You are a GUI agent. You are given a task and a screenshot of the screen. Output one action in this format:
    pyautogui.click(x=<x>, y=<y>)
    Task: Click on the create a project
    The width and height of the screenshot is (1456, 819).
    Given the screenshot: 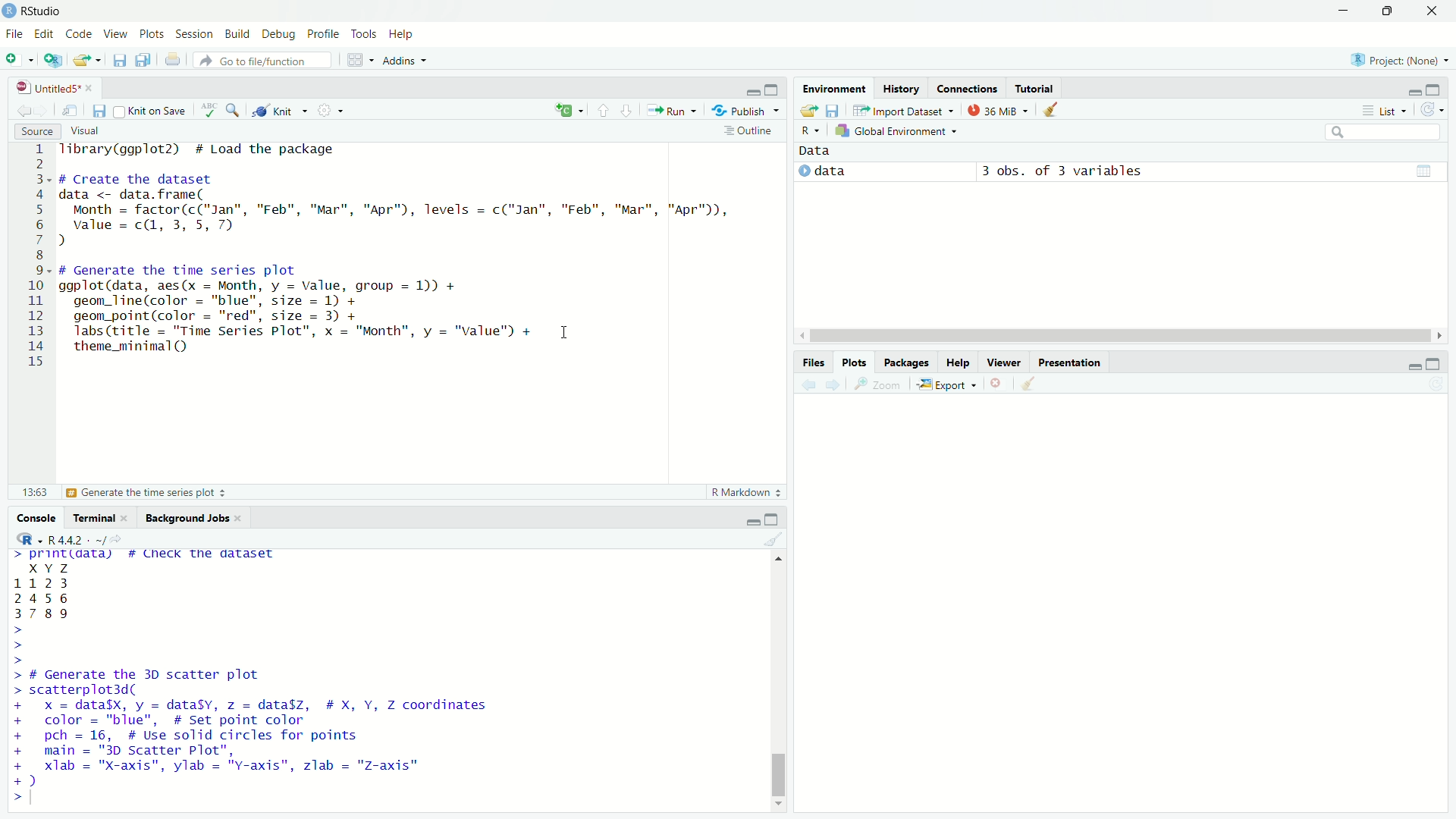 What is the action you would take?
    pyautogui.click(x=52, y=61)
    